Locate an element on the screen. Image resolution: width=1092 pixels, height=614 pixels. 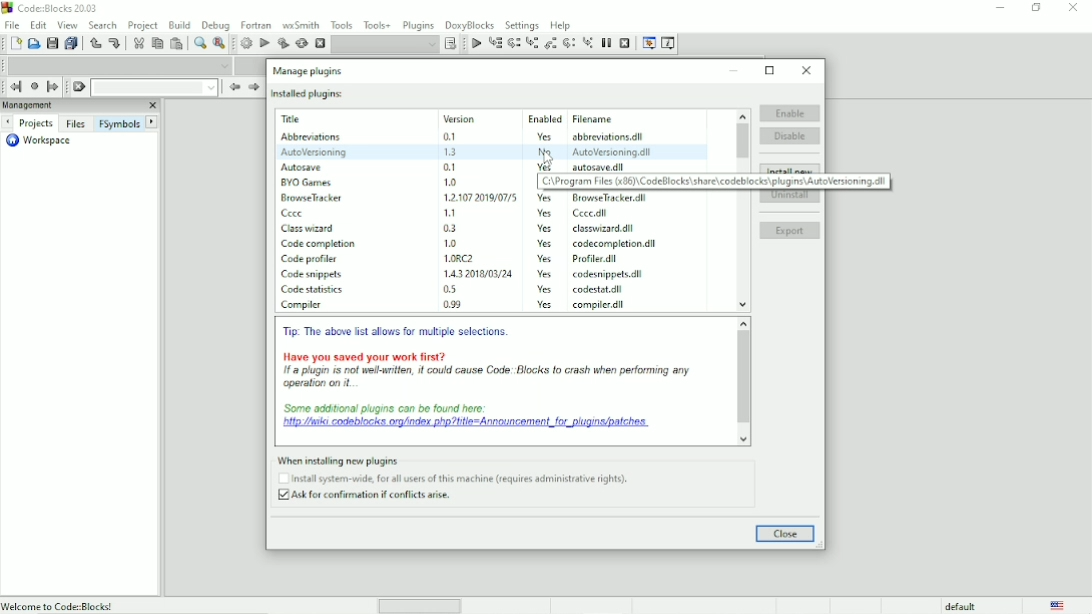
version  is located at coordinates (454, 289).